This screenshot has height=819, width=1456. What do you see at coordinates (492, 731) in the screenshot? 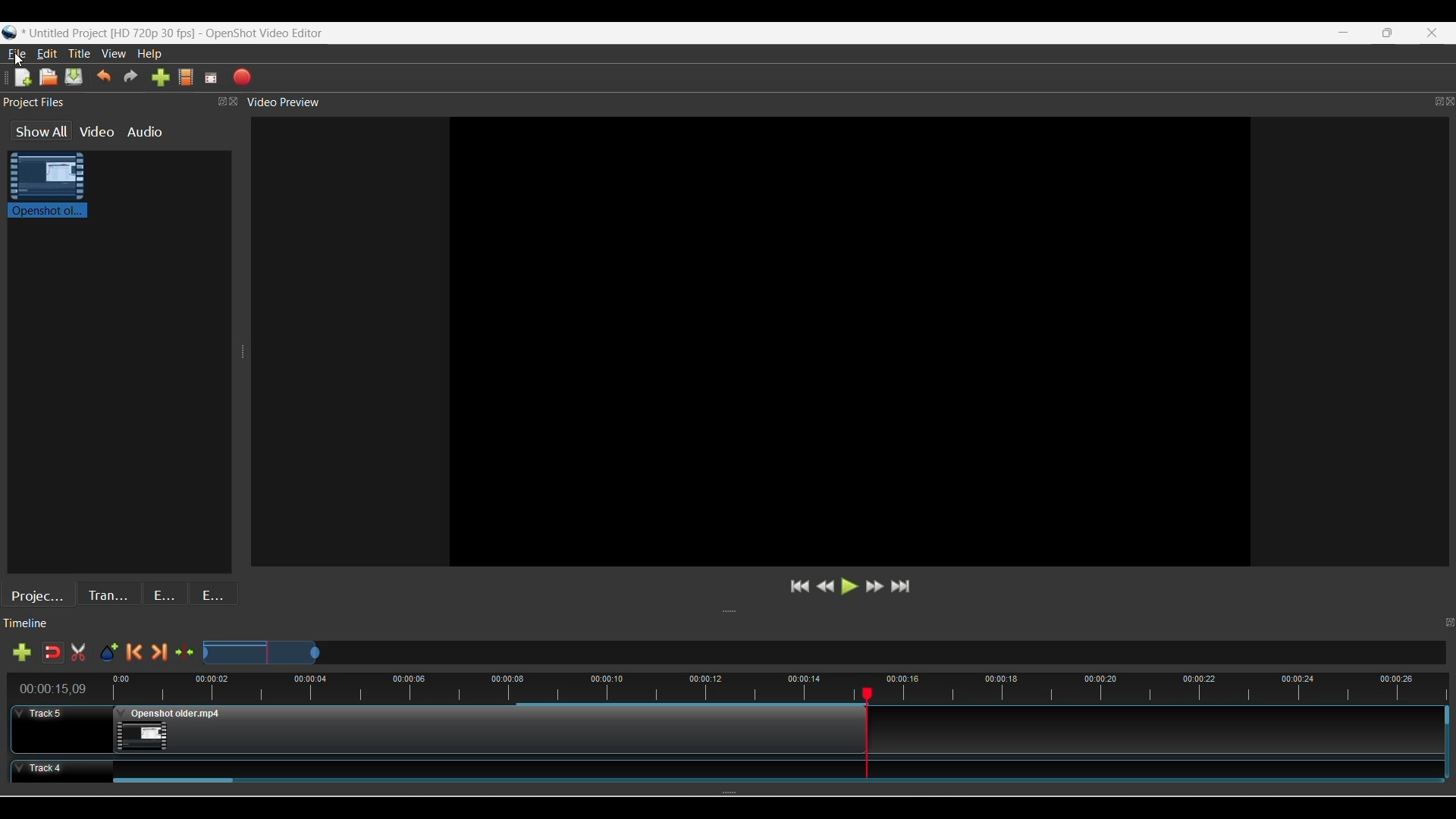
I see `Clip at Track Panel` at bounding box center [492, 731].